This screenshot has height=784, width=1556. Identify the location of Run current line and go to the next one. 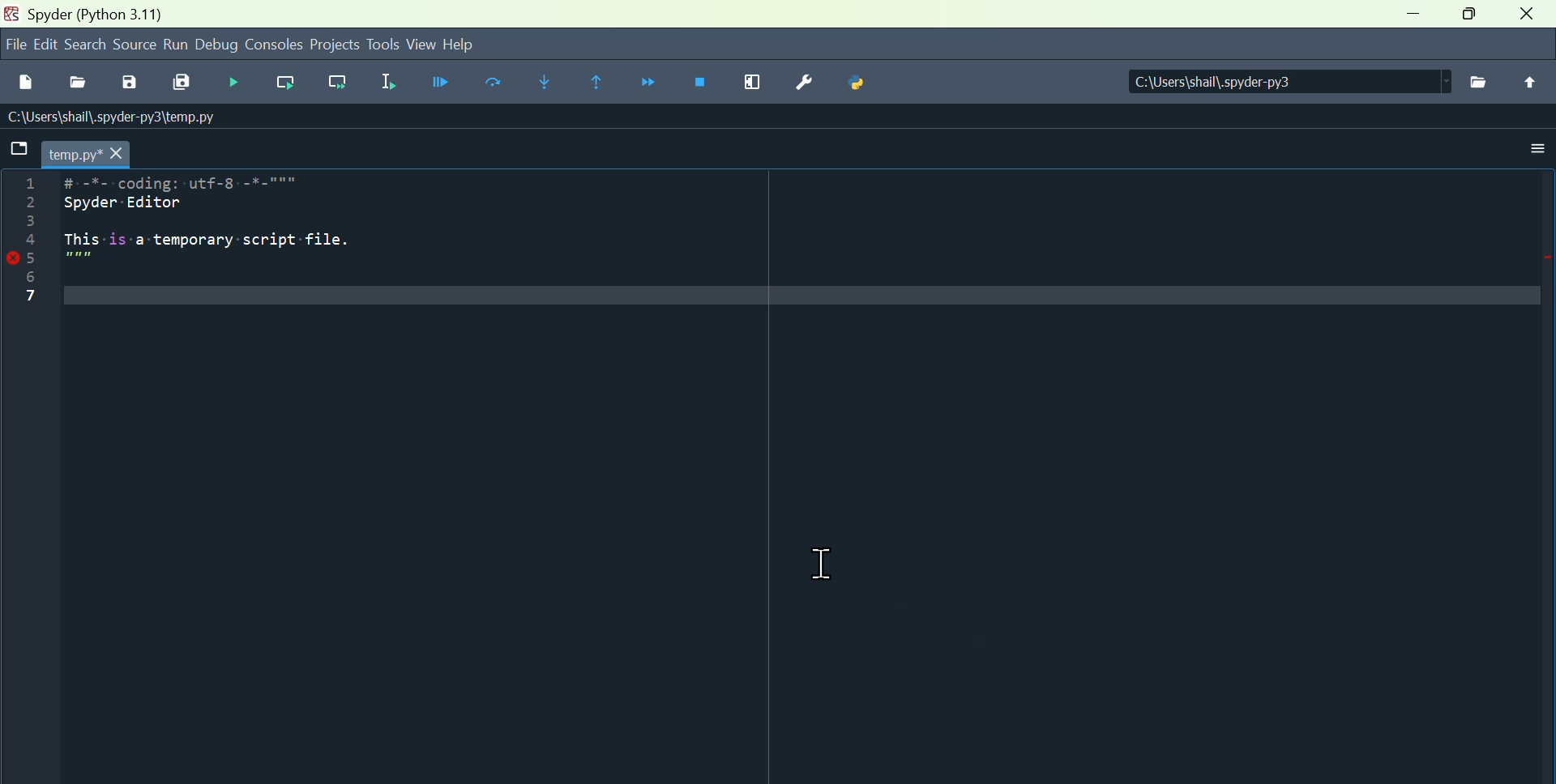
(336, 83).